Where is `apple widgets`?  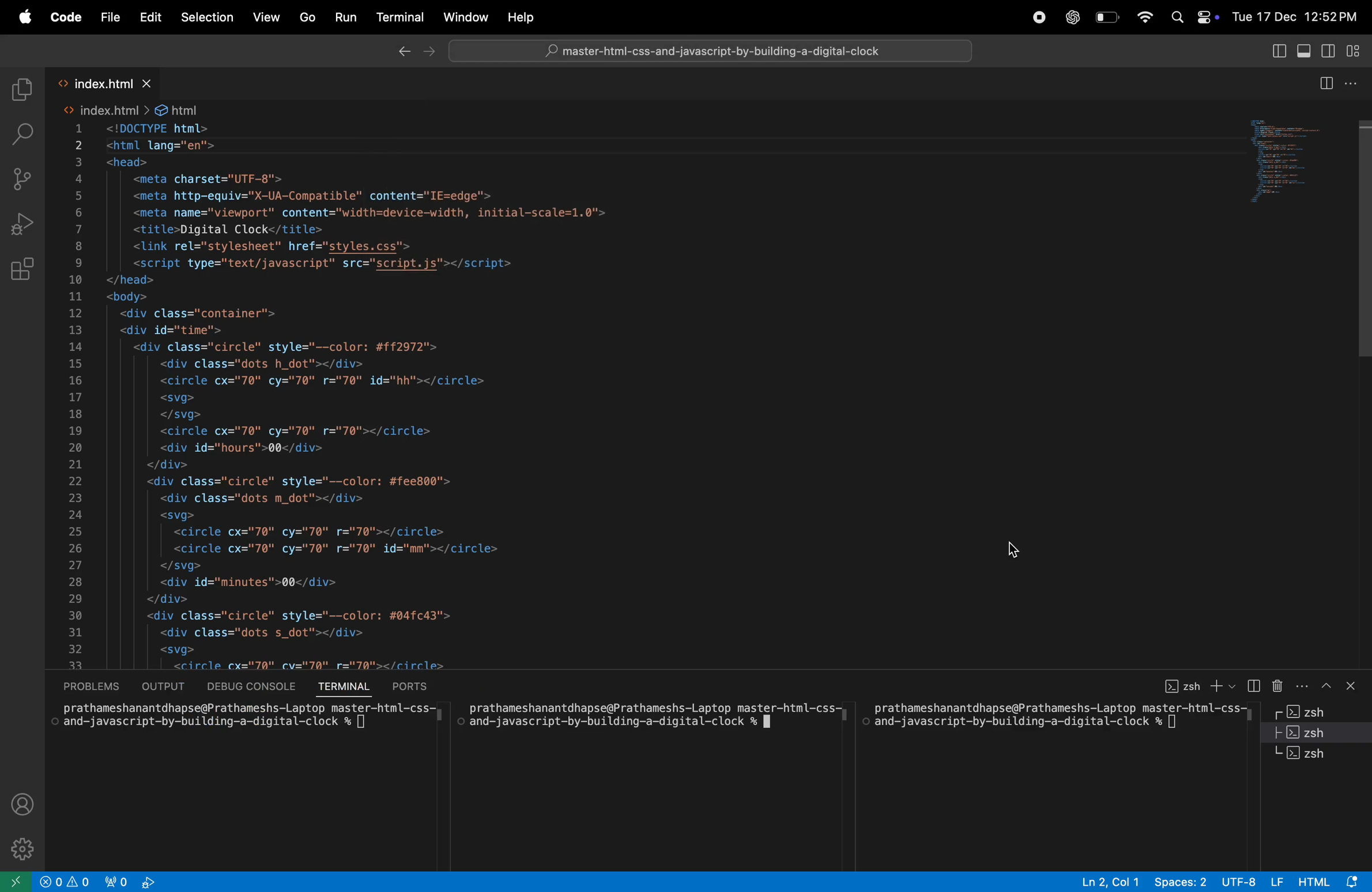 apple widgets is located at coordinates (1193, 17).